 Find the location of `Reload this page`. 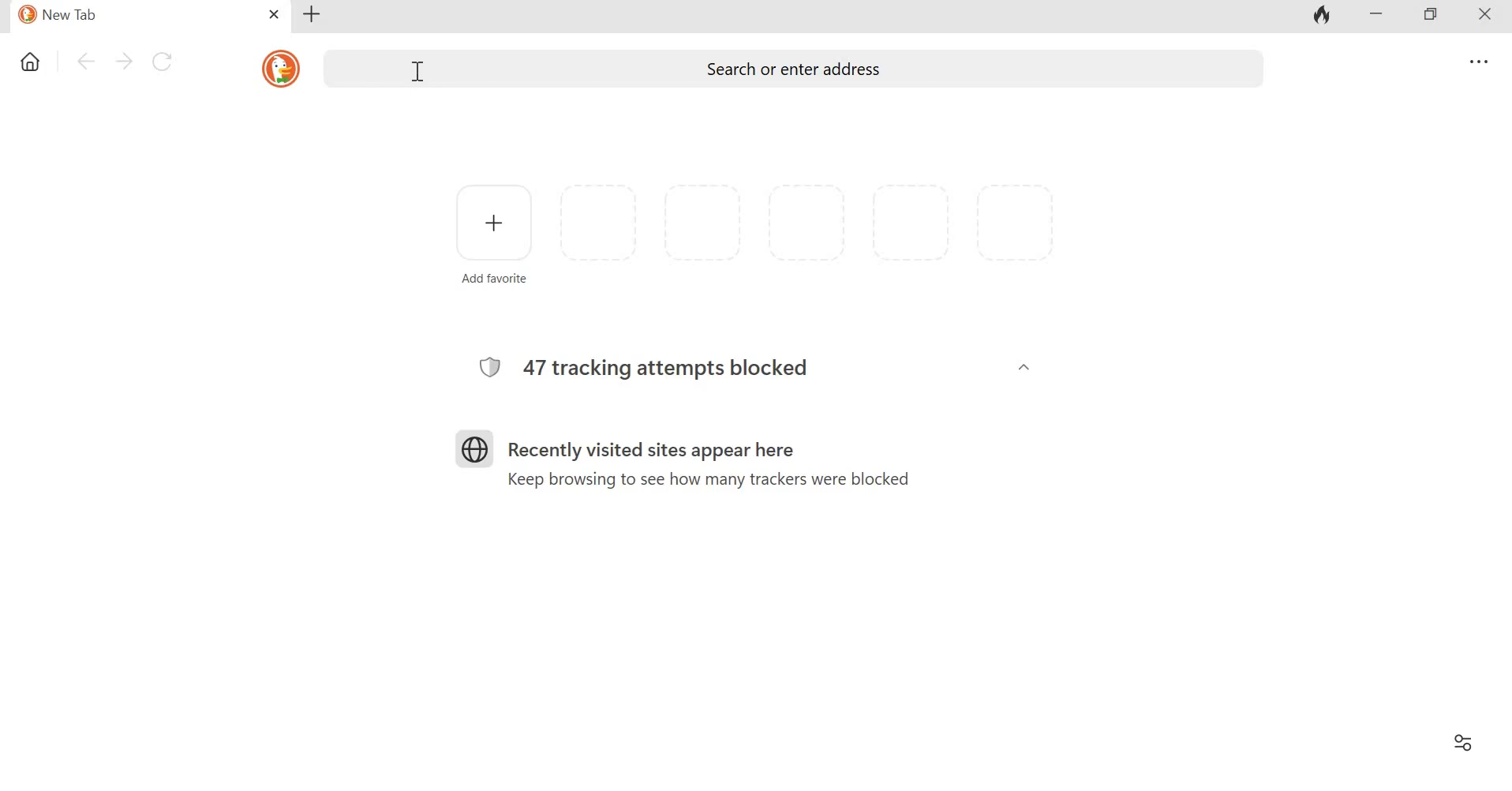

Reload this page is located at coordinates (167, 62).